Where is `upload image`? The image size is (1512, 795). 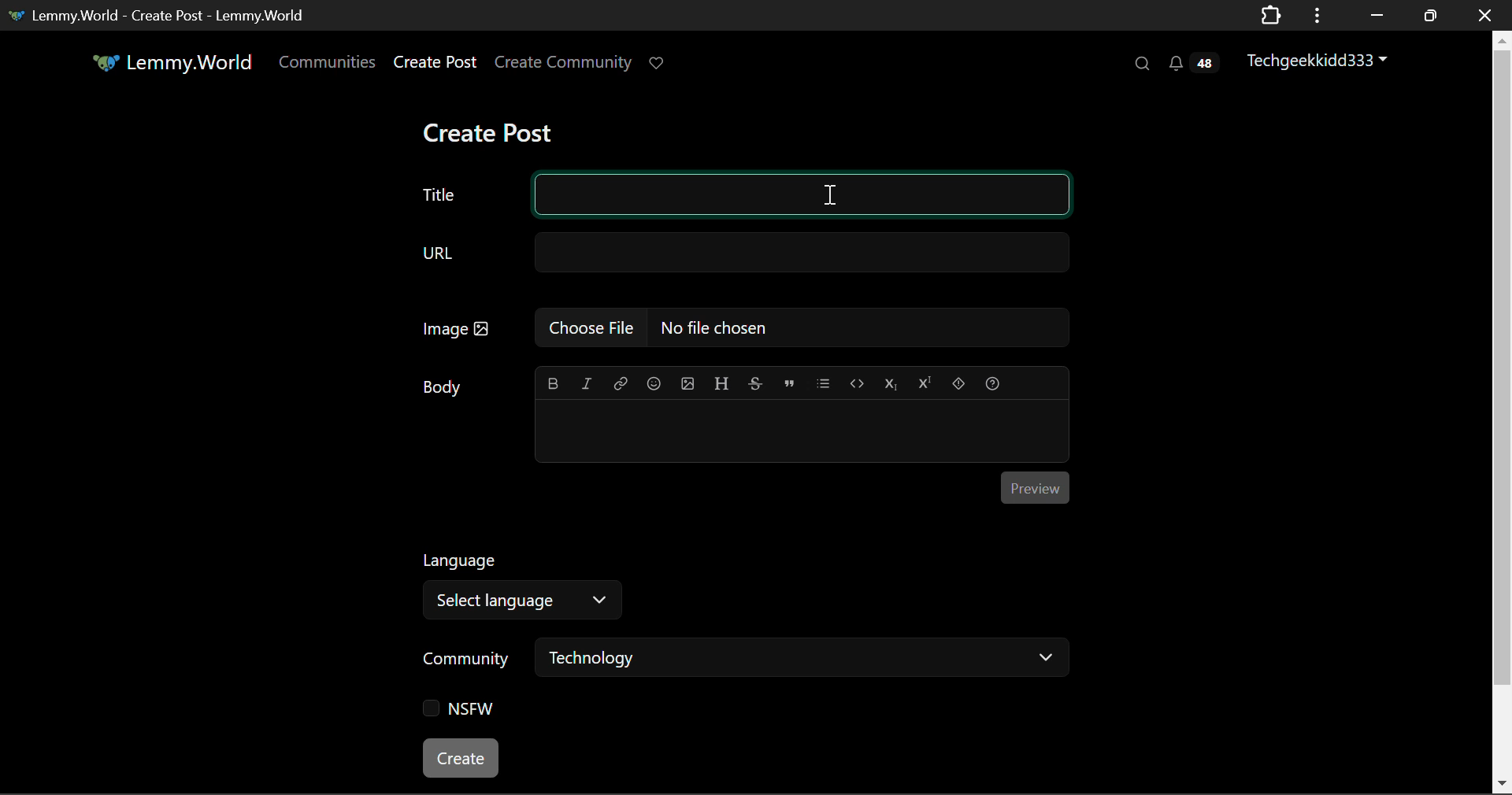
upload image is located at coordinates (687, 382).